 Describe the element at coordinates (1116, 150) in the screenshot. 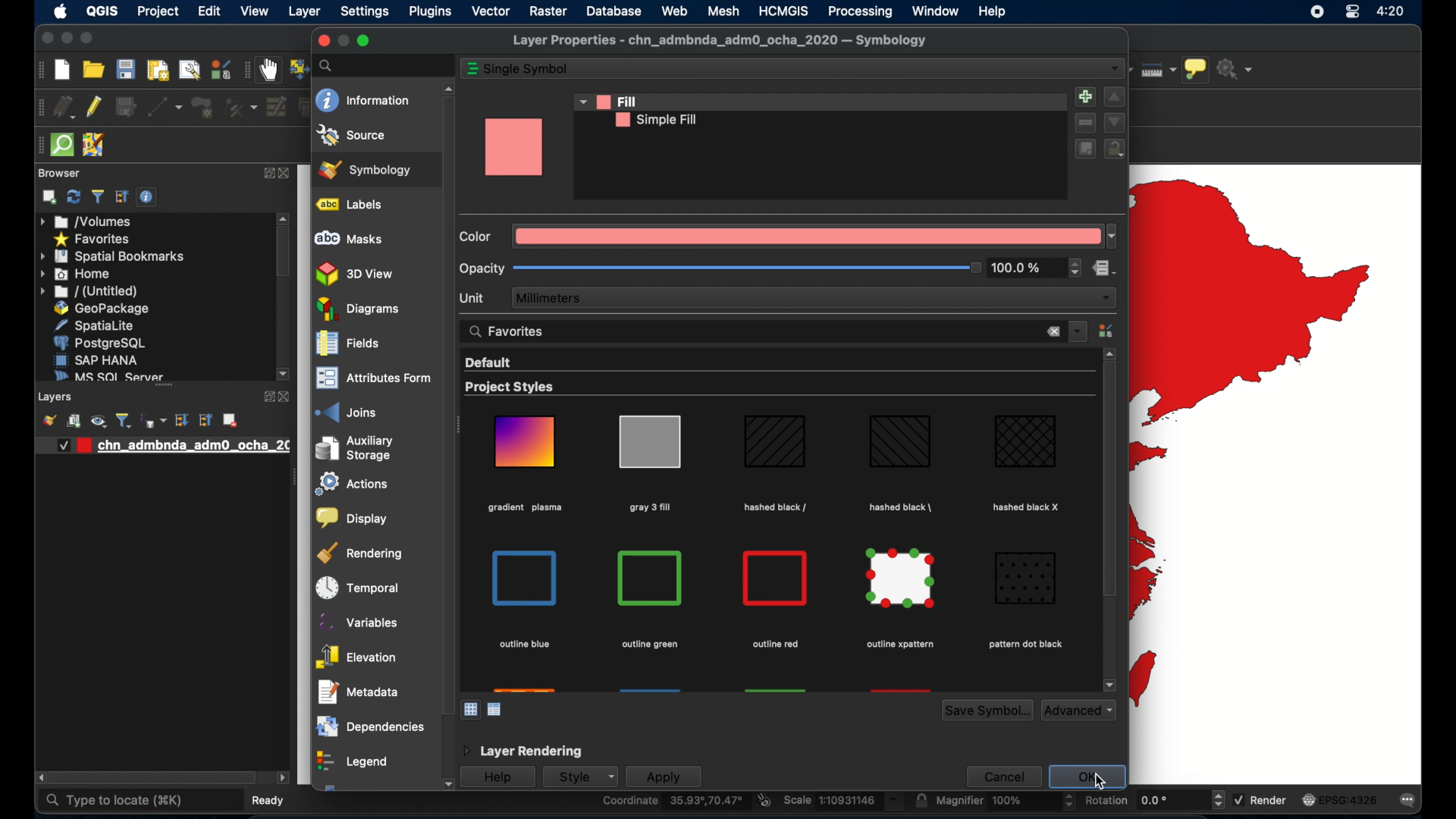

I see `lock symbol layers color` at that location.